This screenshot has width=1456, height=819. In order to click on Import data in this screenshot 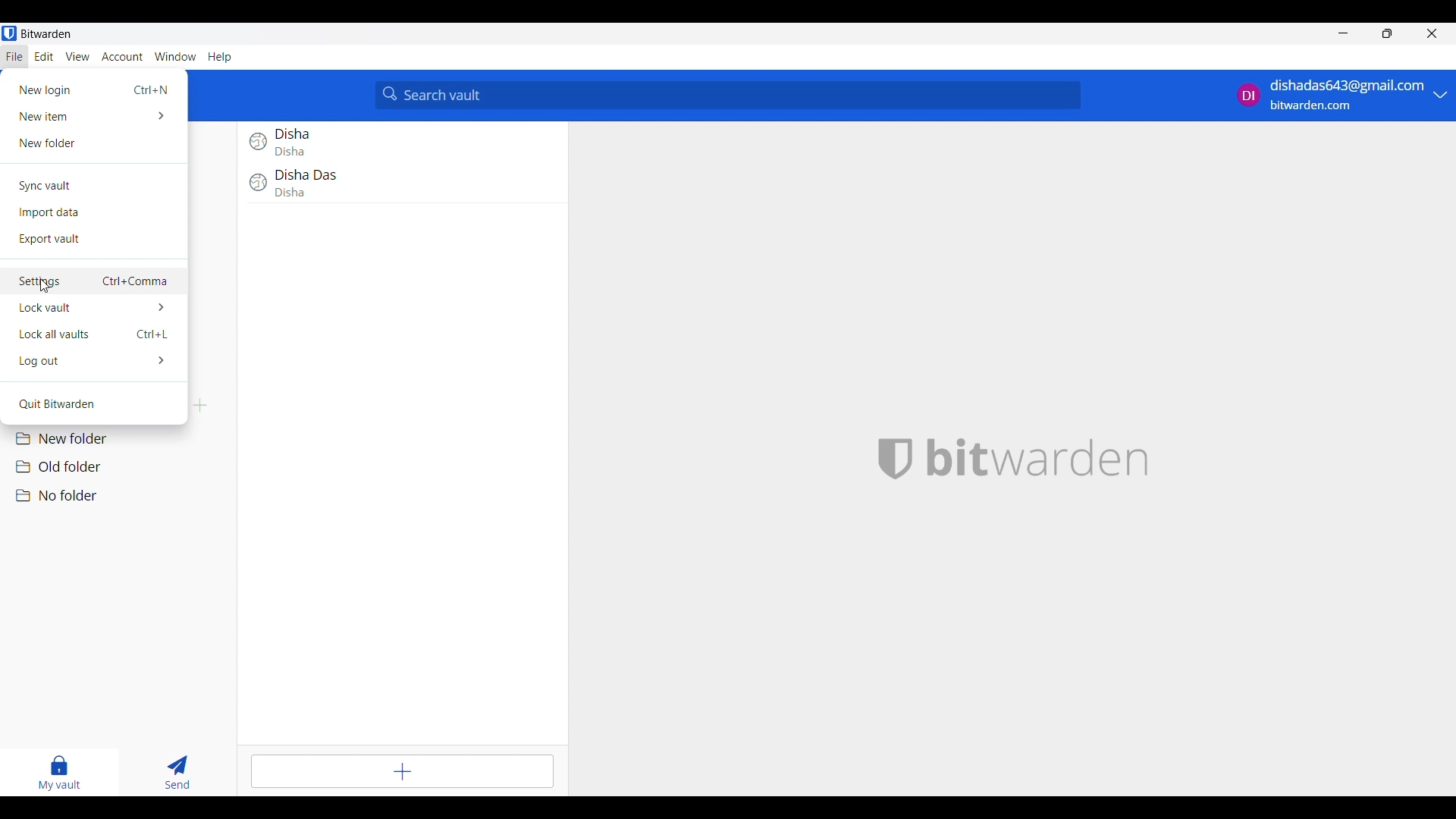, I will do `click(93, 213)`.